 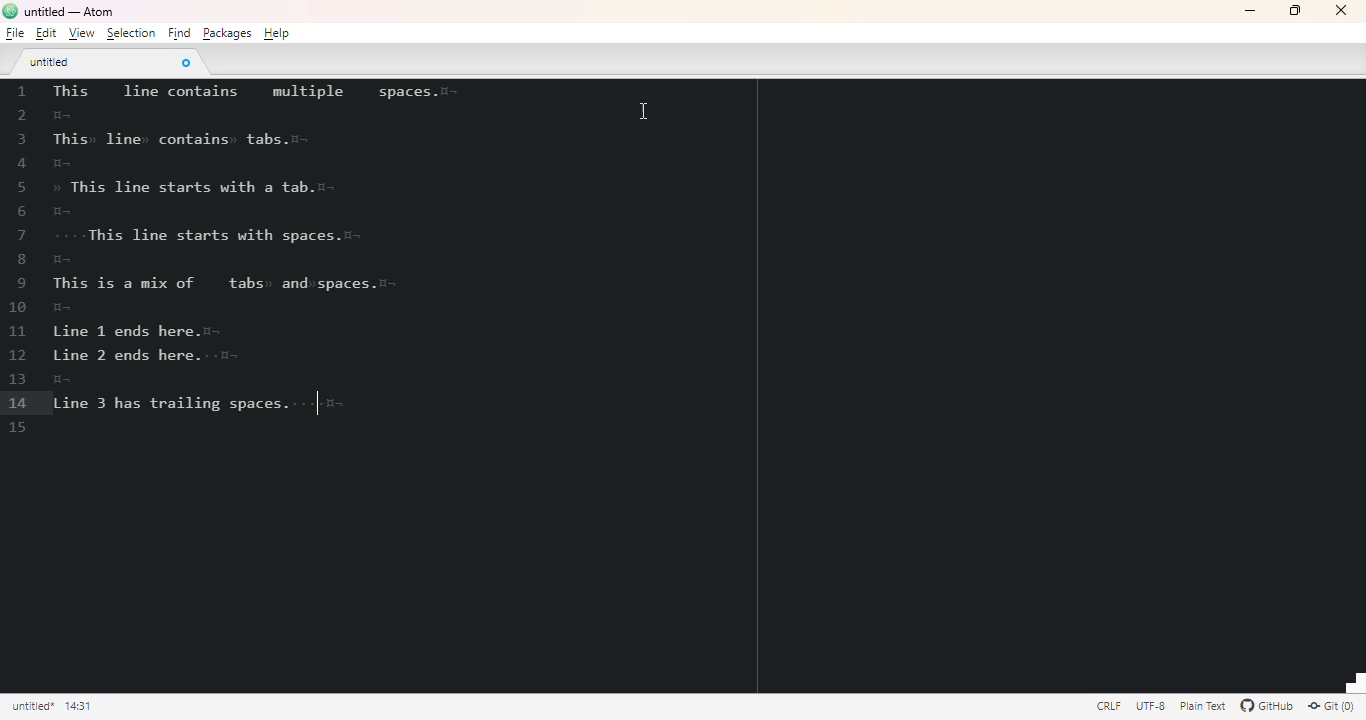 What do you see at coordinates (146, 140) in the screenshot?
I see `invisible character` at bounding box center [146, 140].